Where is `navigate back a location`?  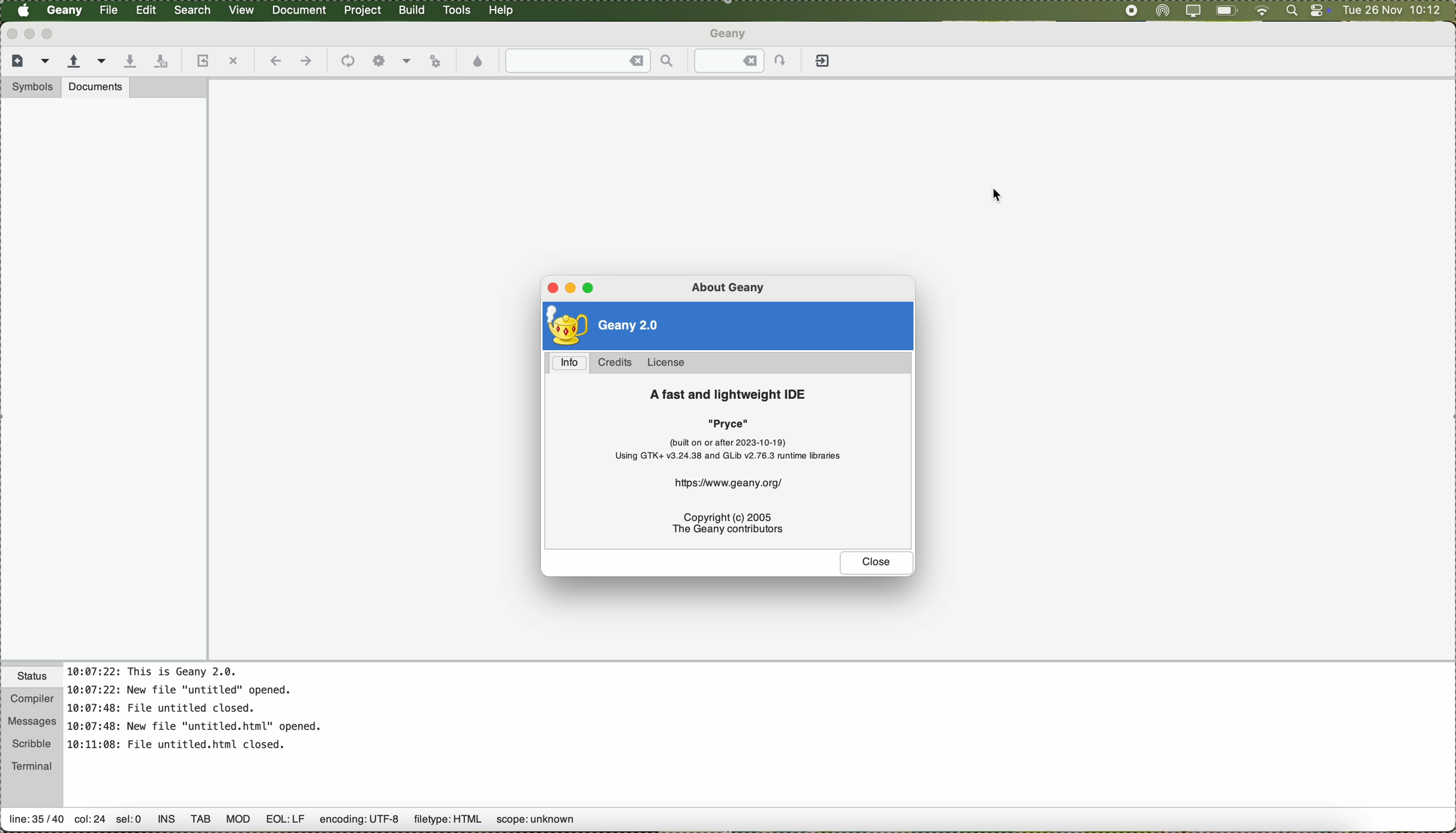 navigate back a location is located at coordinates (276, 62).